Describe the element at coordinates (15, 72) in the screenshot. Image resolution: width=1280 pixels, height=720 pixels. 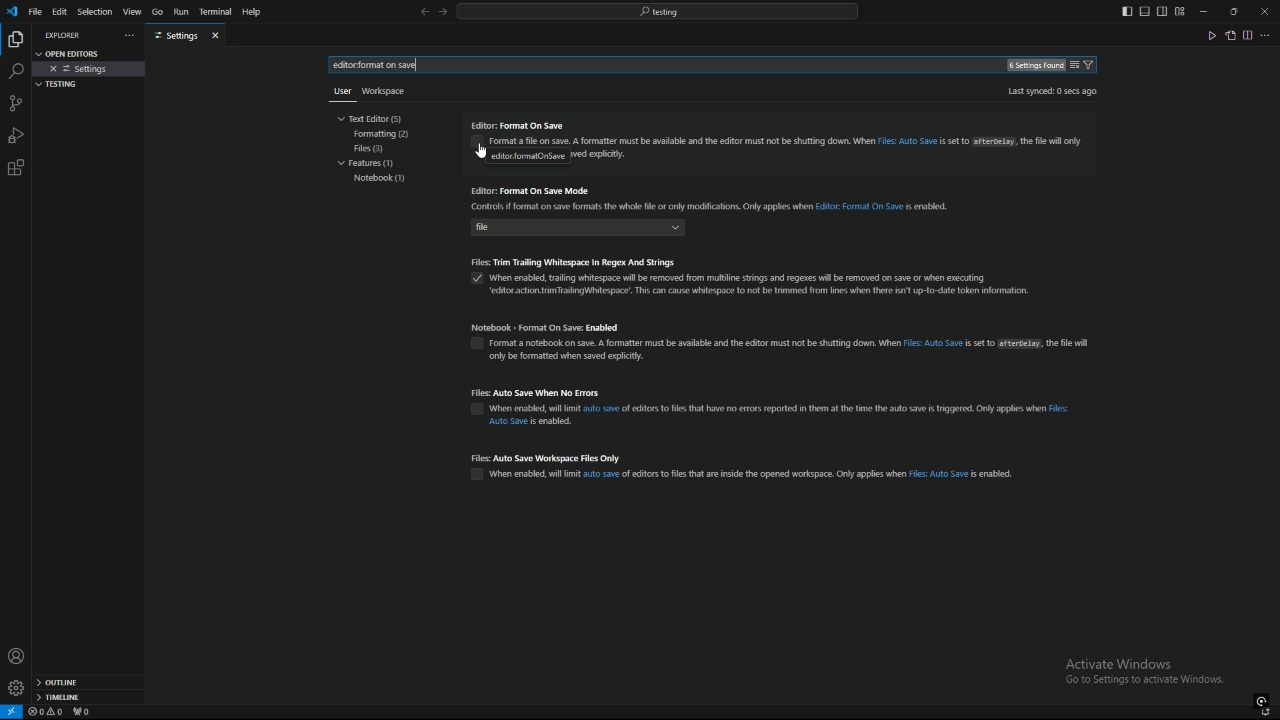
I see `search` at that location.